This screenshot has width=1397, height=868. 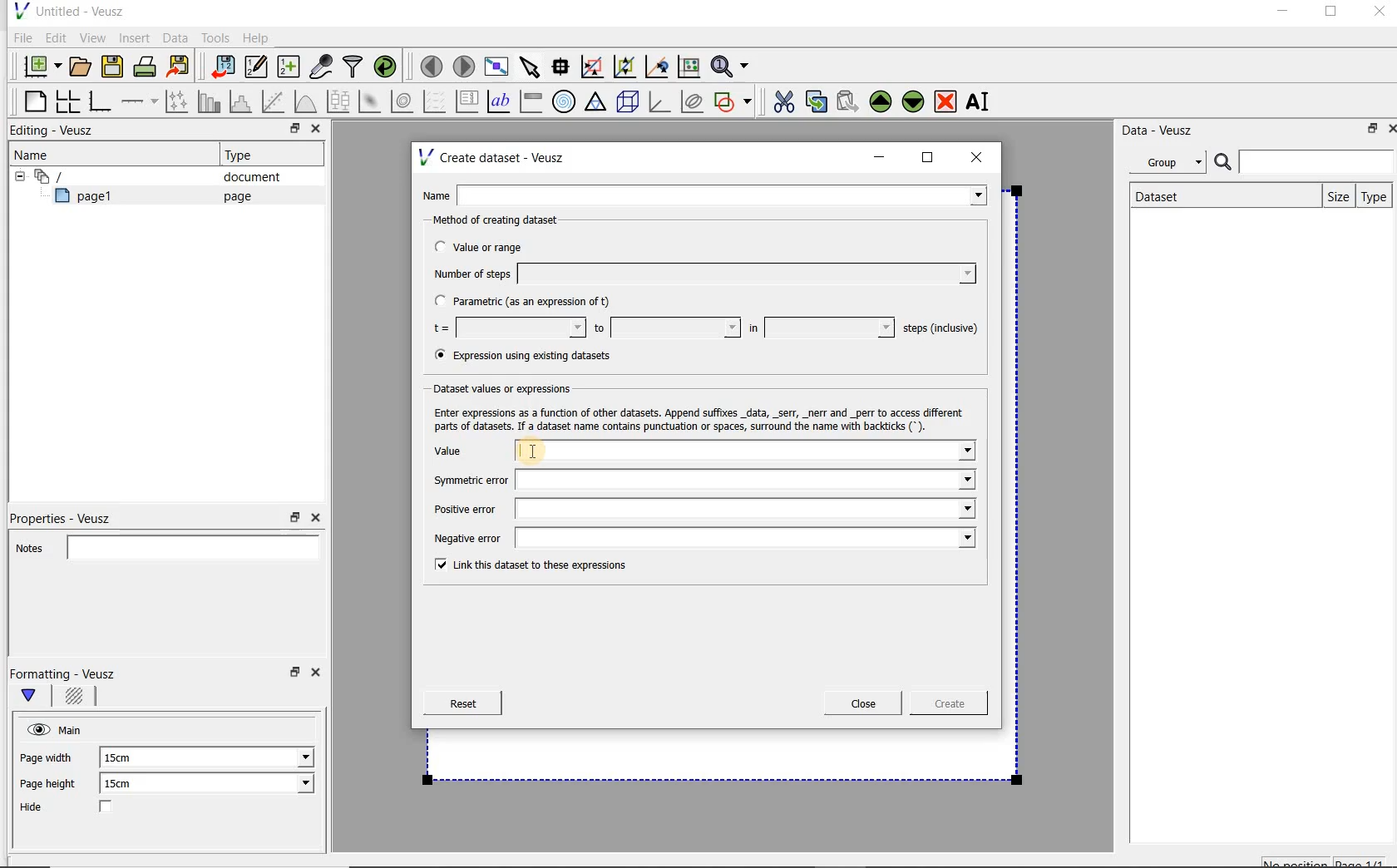 I want to click on Page width dropdown, so click(x=287, y=757).